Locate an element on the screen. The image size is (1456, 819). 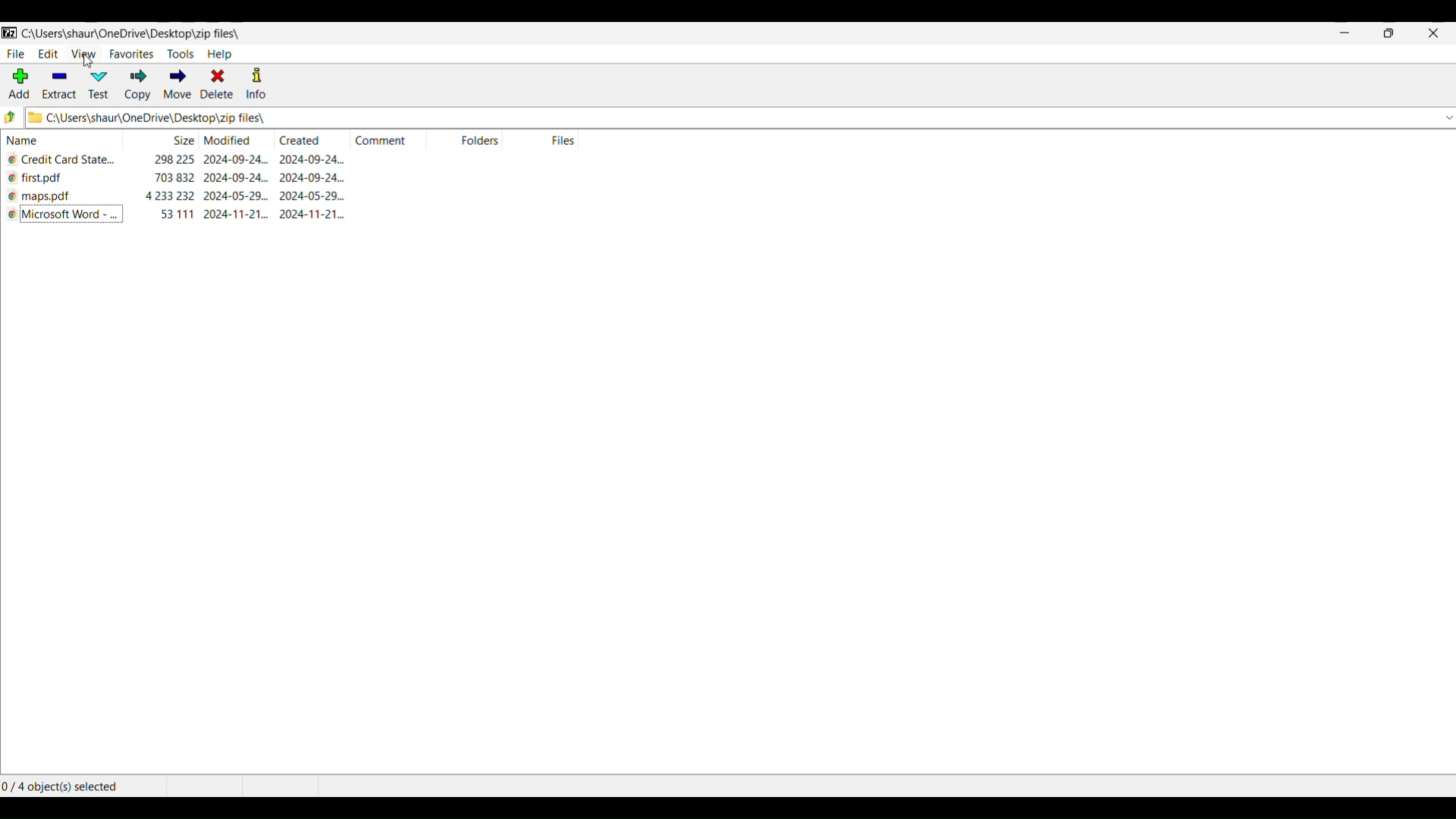
down button is located at coordinates (1438, 119).